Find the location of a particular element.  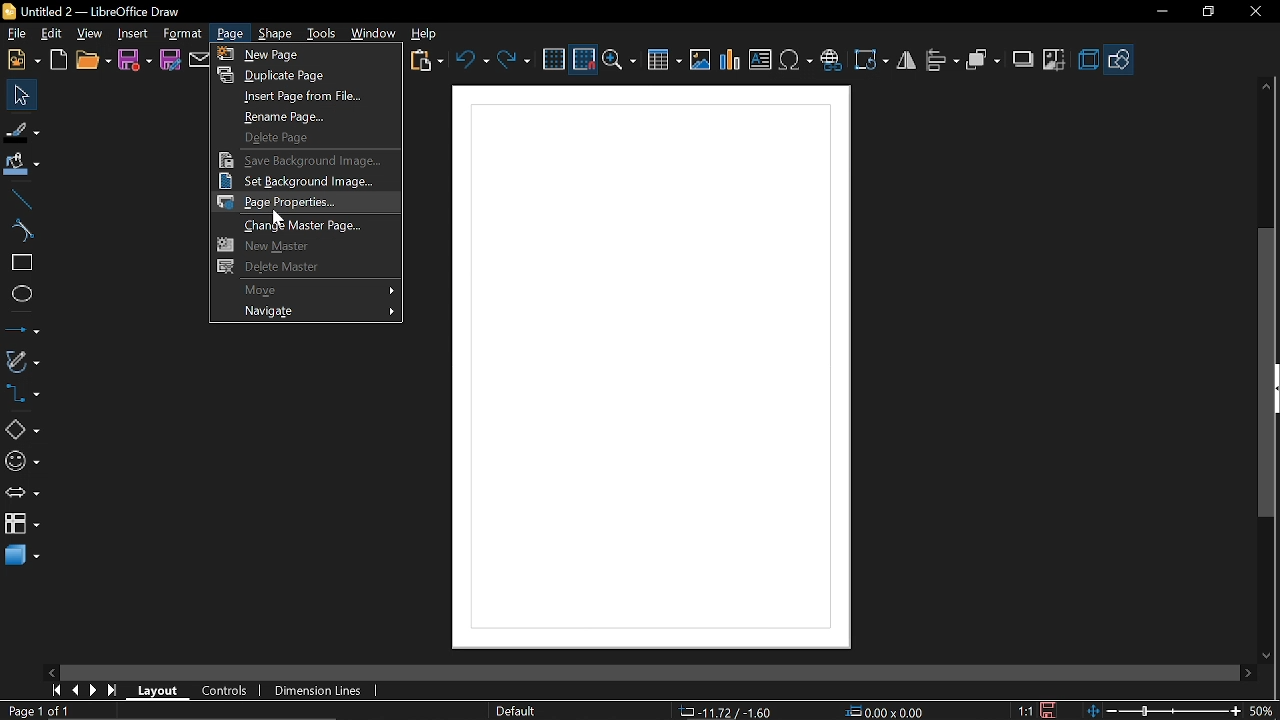

Miniimize is located at coordinates (1160, 14).